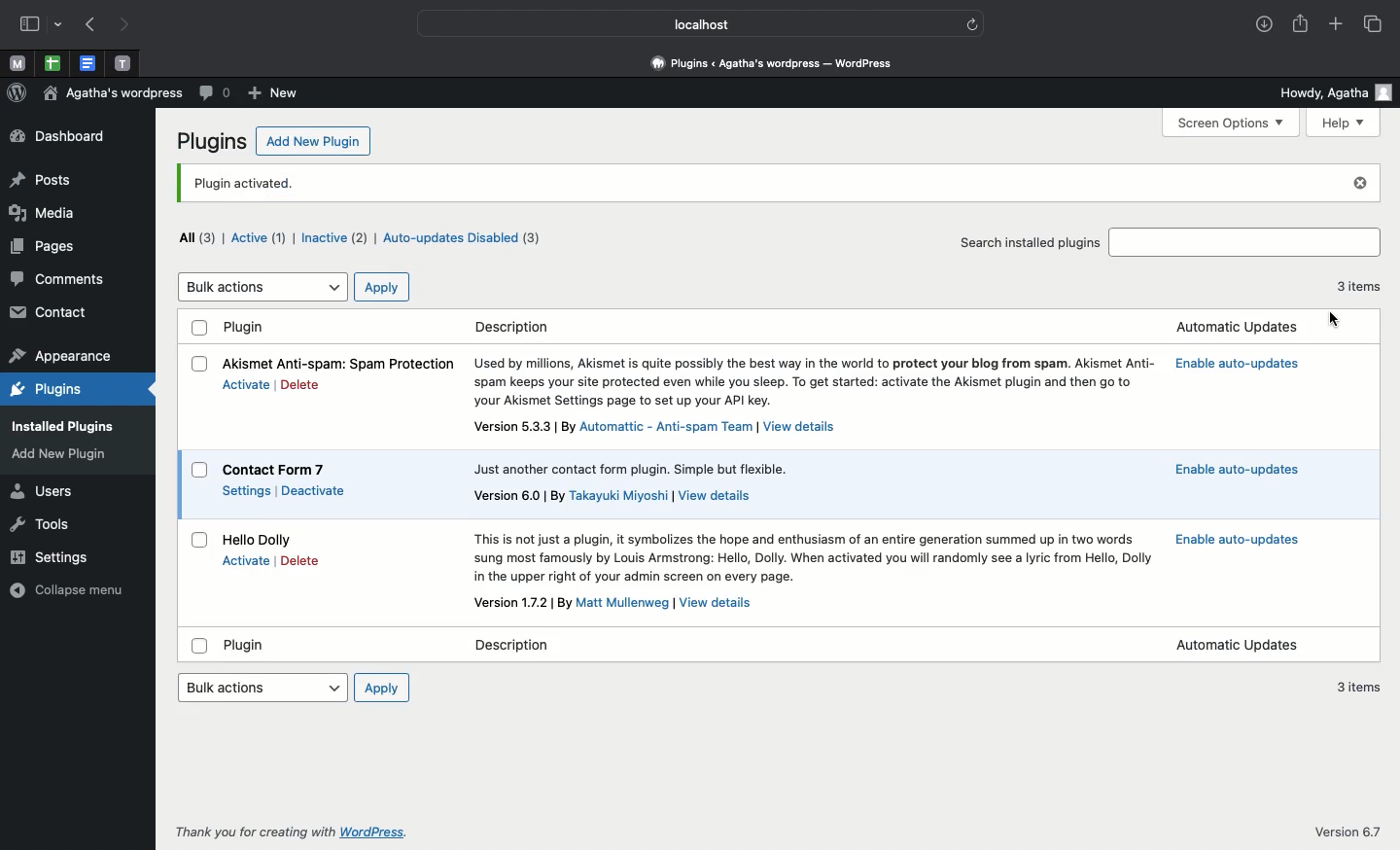 Image resolution: width=1400 pixels, height=850 pixels. I want to click on Help, so click(1345, 123).